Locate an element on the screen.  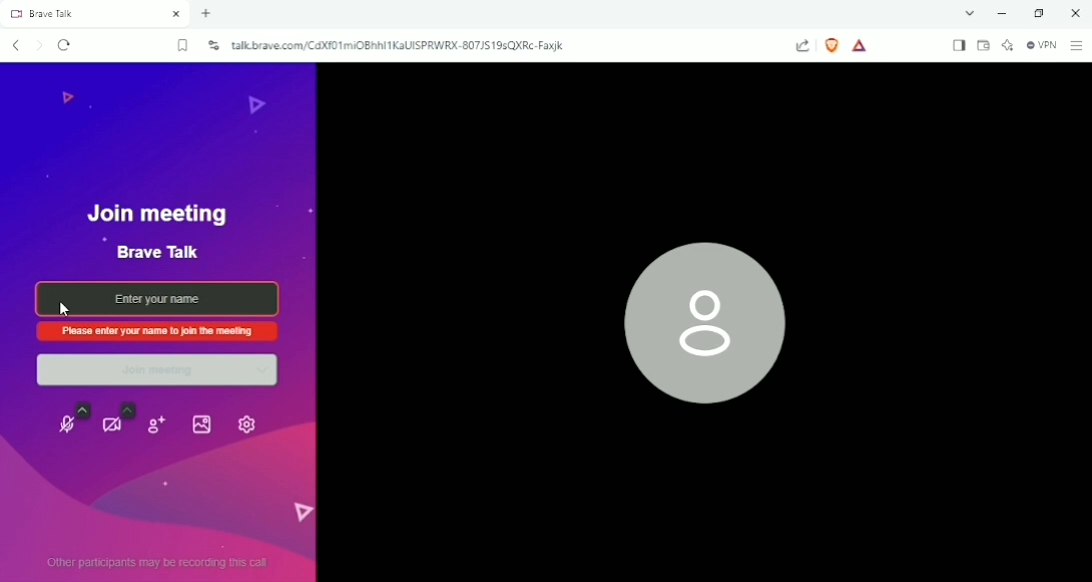
Invite people is located at coordinates (156, 425).